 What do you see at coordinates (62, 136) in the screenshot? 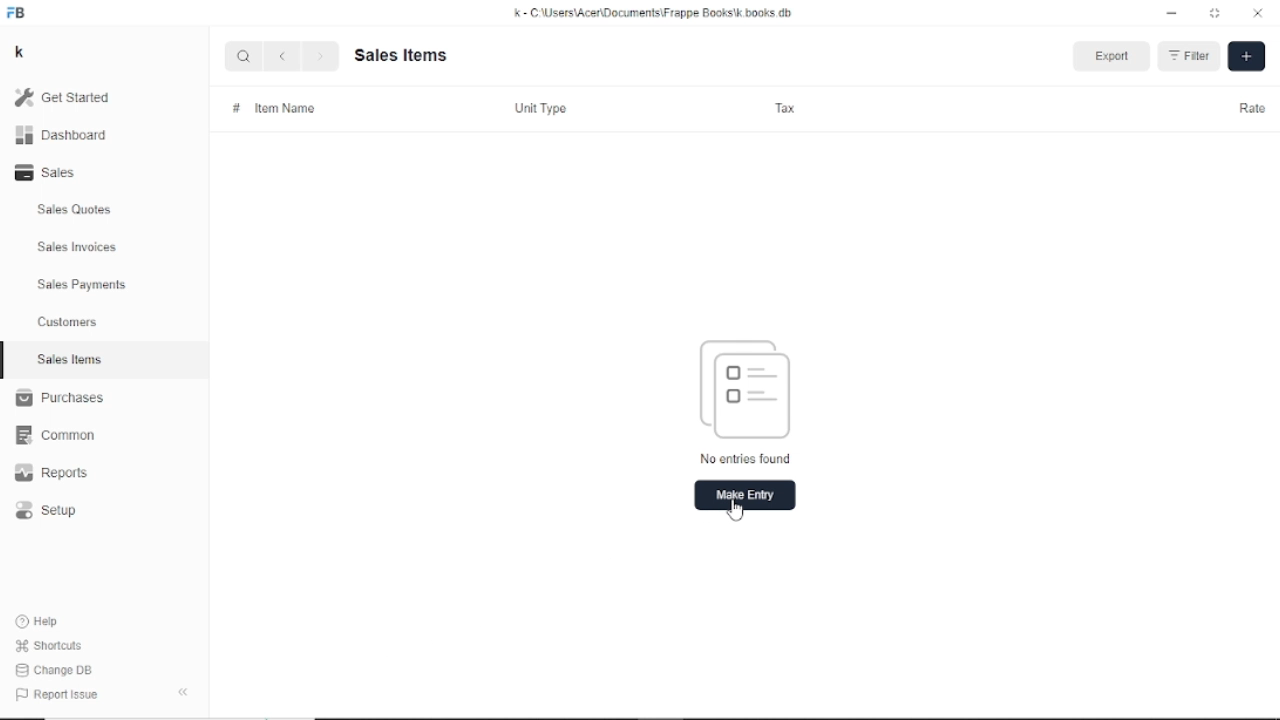
I see `Dashboard` at bounding box center [62, 136].